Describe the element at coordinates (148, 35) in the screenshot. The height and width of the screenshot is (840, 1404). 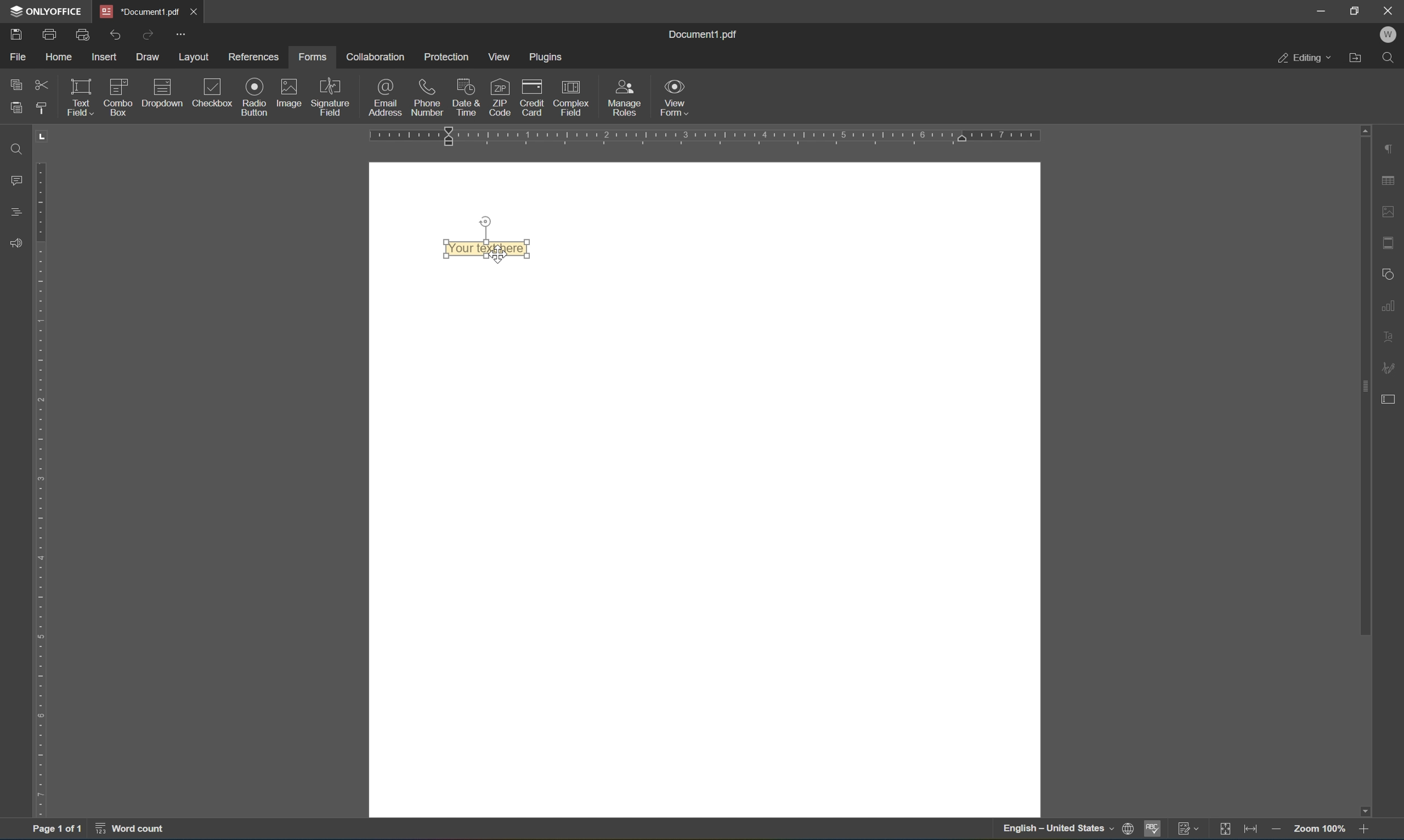
I see `redo` at that location.